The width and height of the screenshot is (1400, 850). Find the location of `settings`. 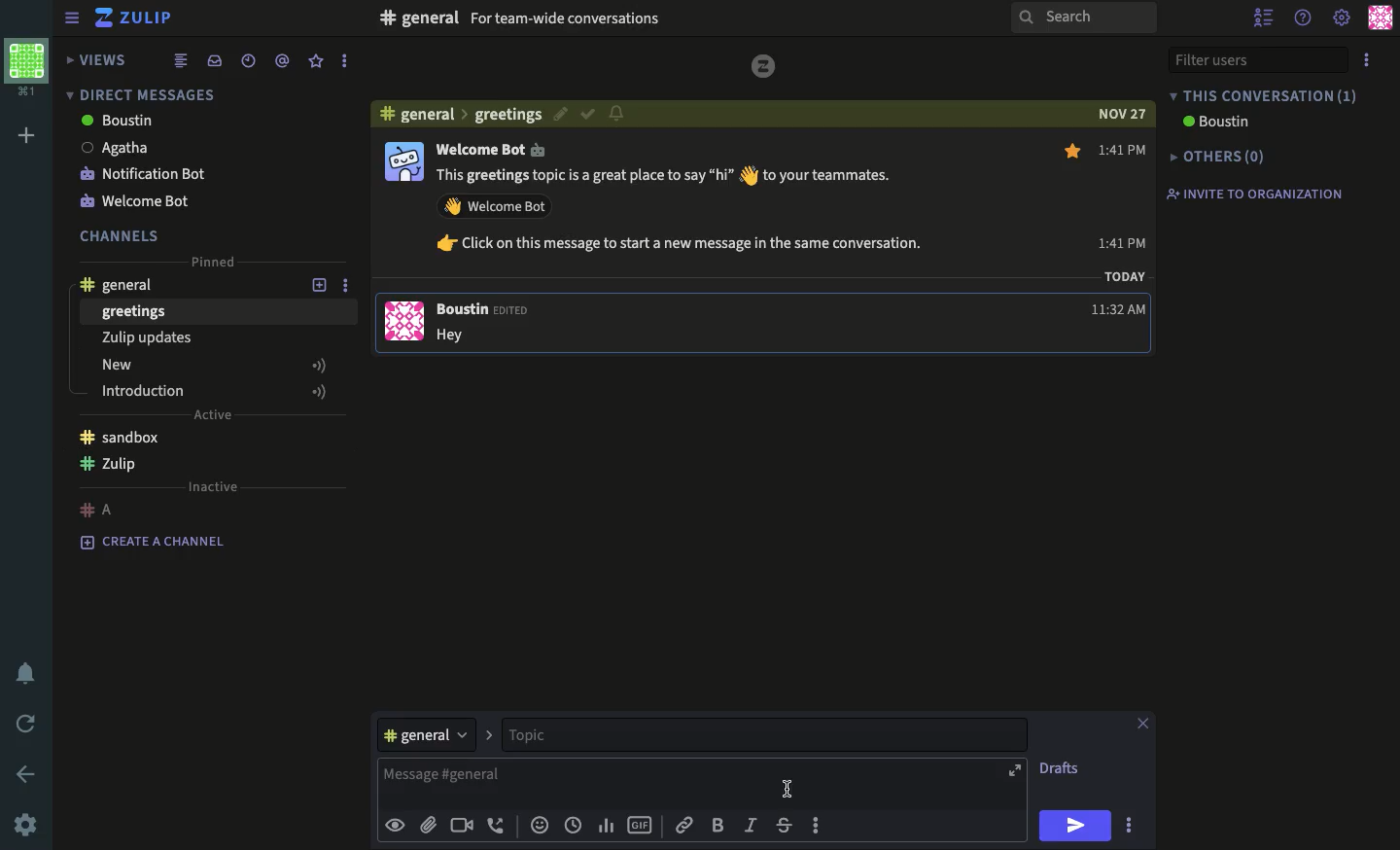

settings is located at coordinates (1343, 19).